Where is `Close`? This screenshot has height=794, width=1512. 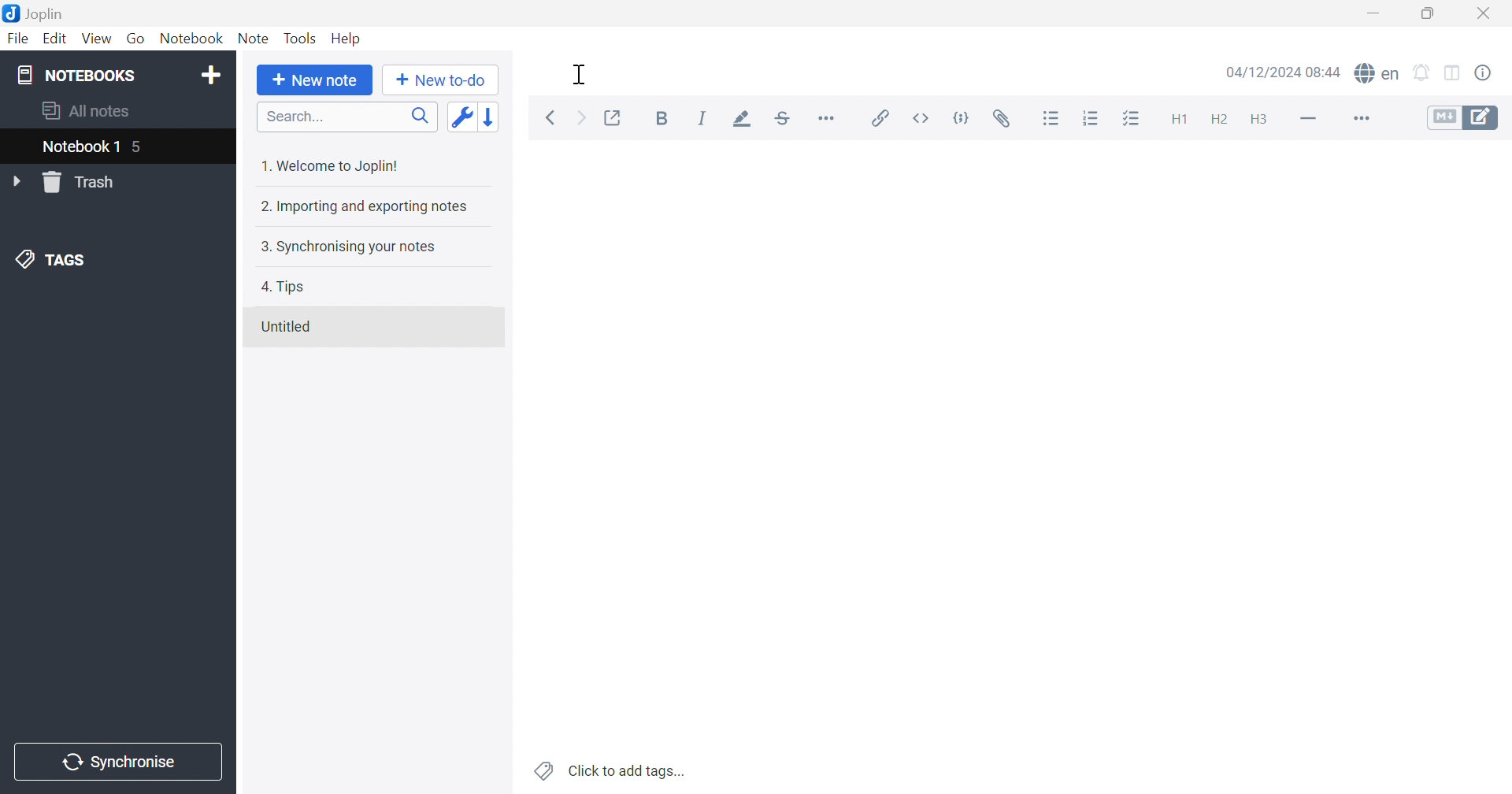
Close is located at coordinates (1486, 12).